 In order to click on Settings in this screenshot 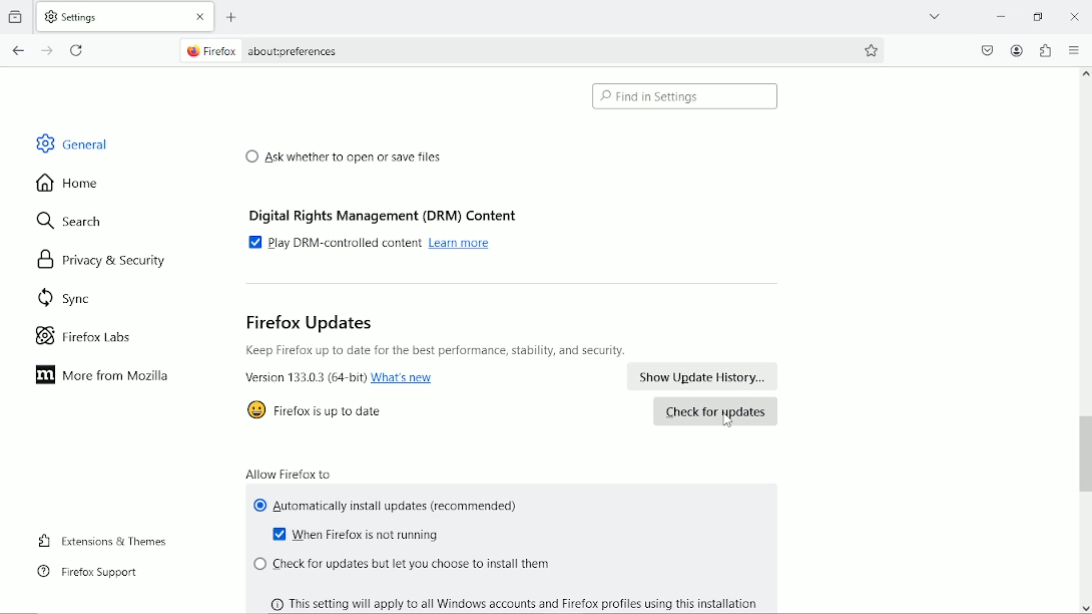, I will do `click(81, 16)`.